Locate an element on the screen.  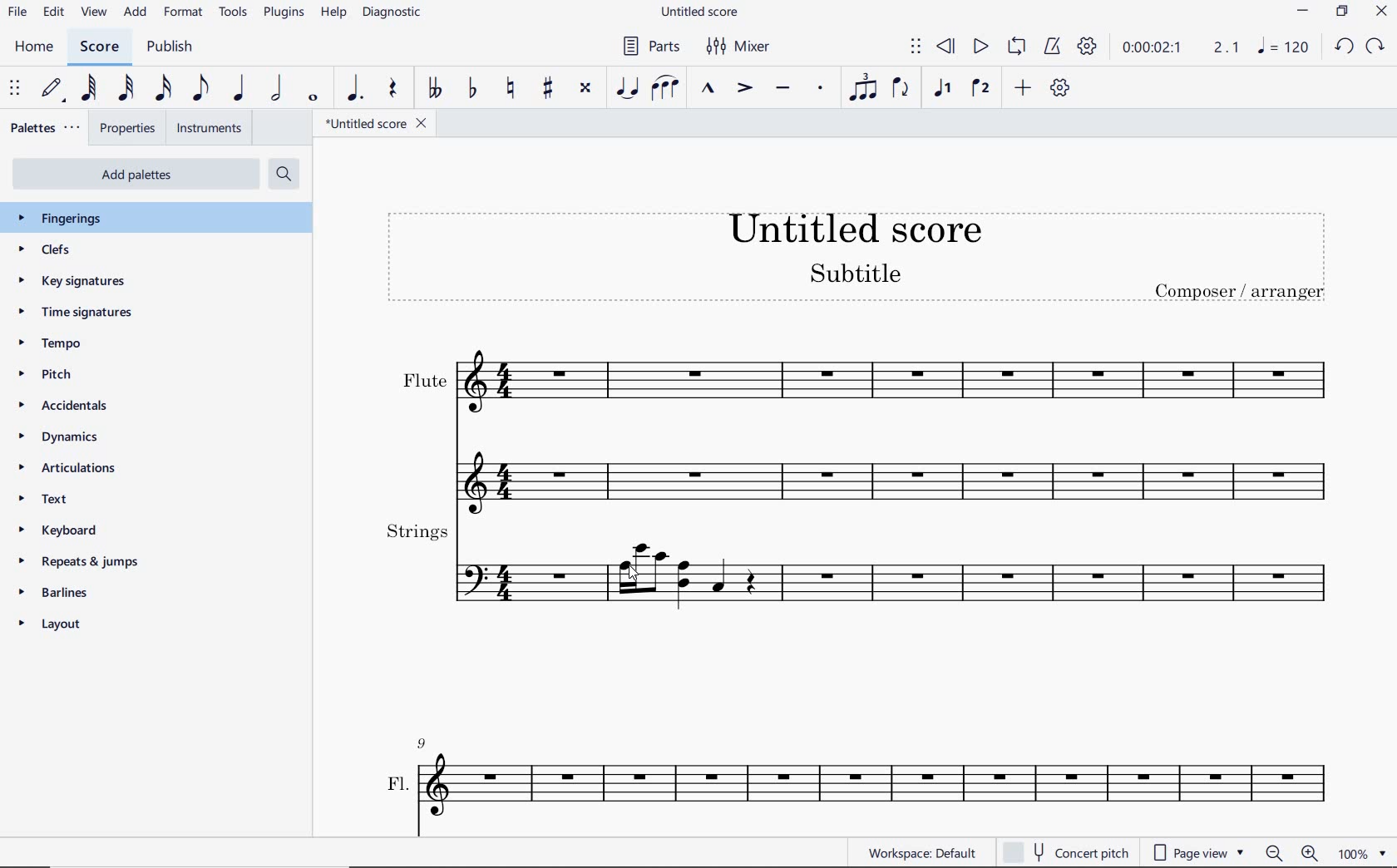
articulations is located at coordinates (73, 468).